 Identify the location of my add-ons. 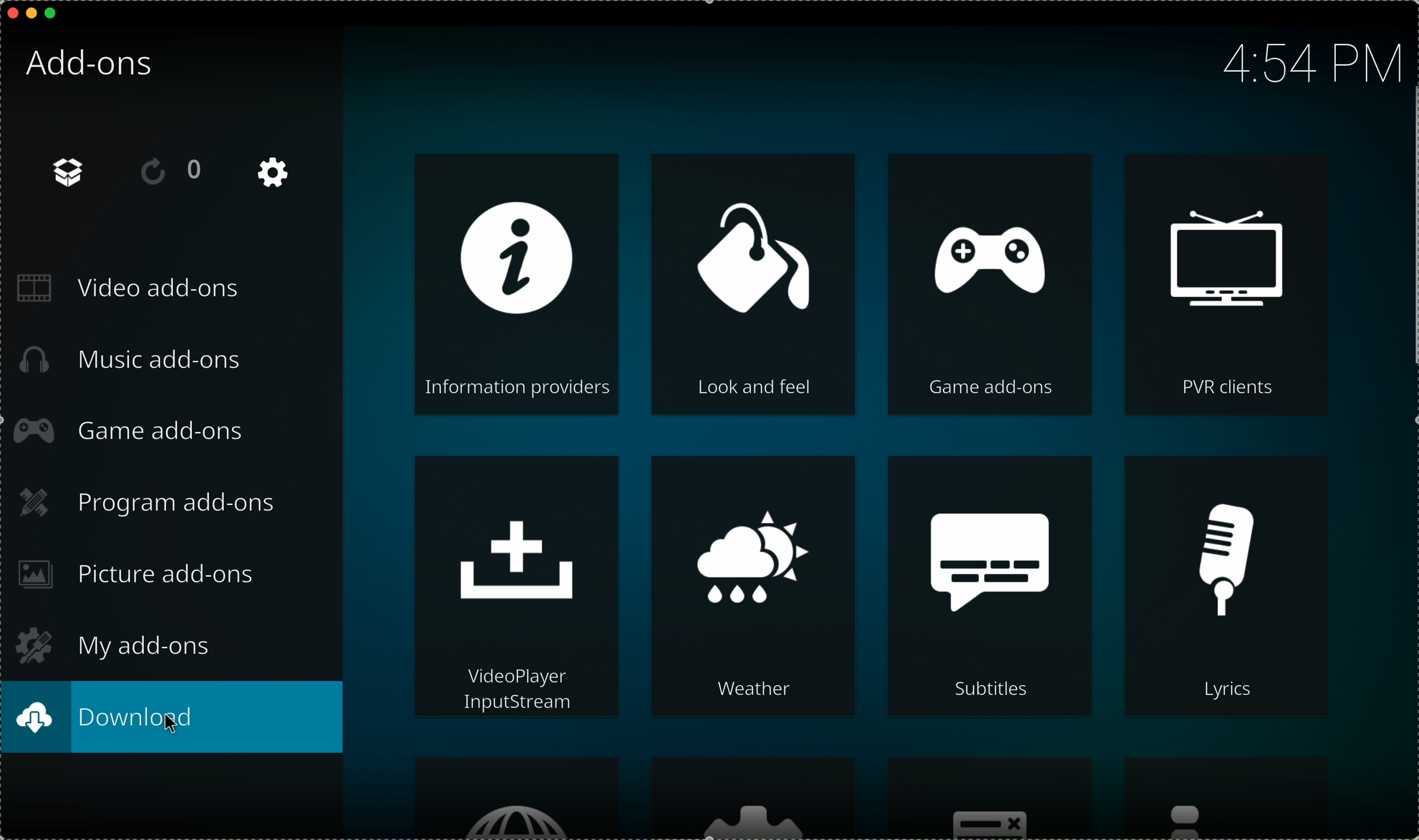
(113, 643).